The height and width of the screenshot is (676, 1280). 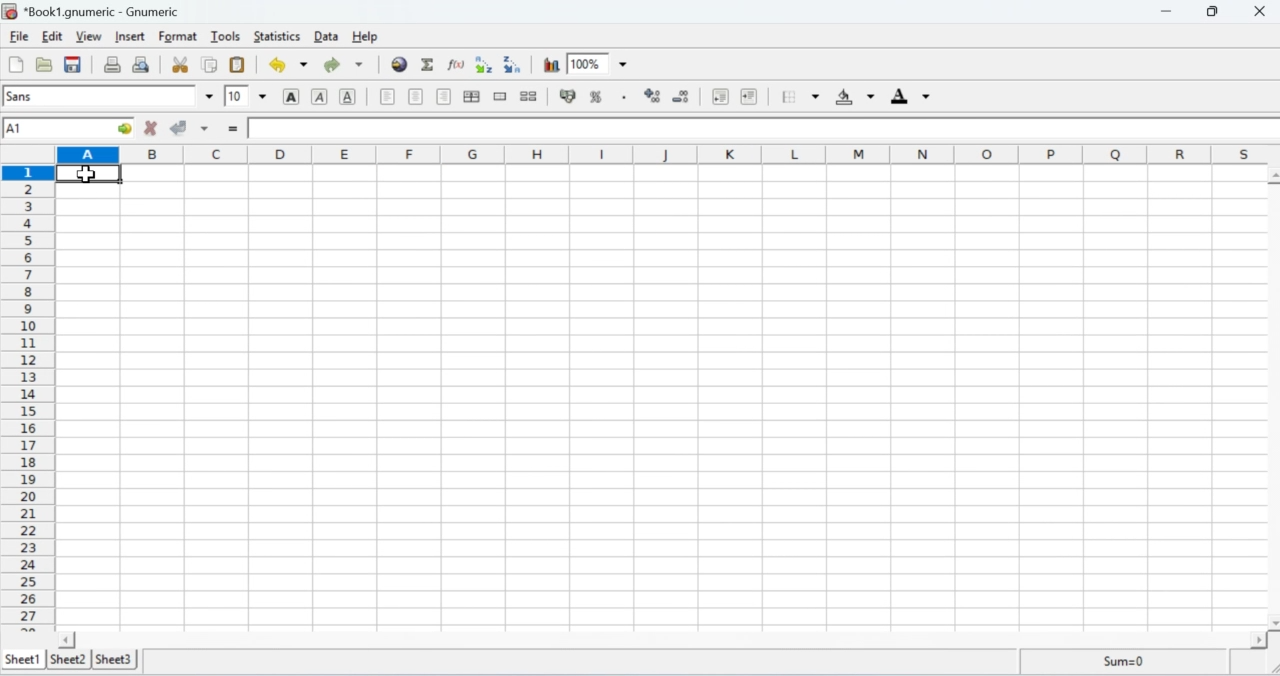 I want to click on Gnumeric Logo, so click(x=11, y=12).